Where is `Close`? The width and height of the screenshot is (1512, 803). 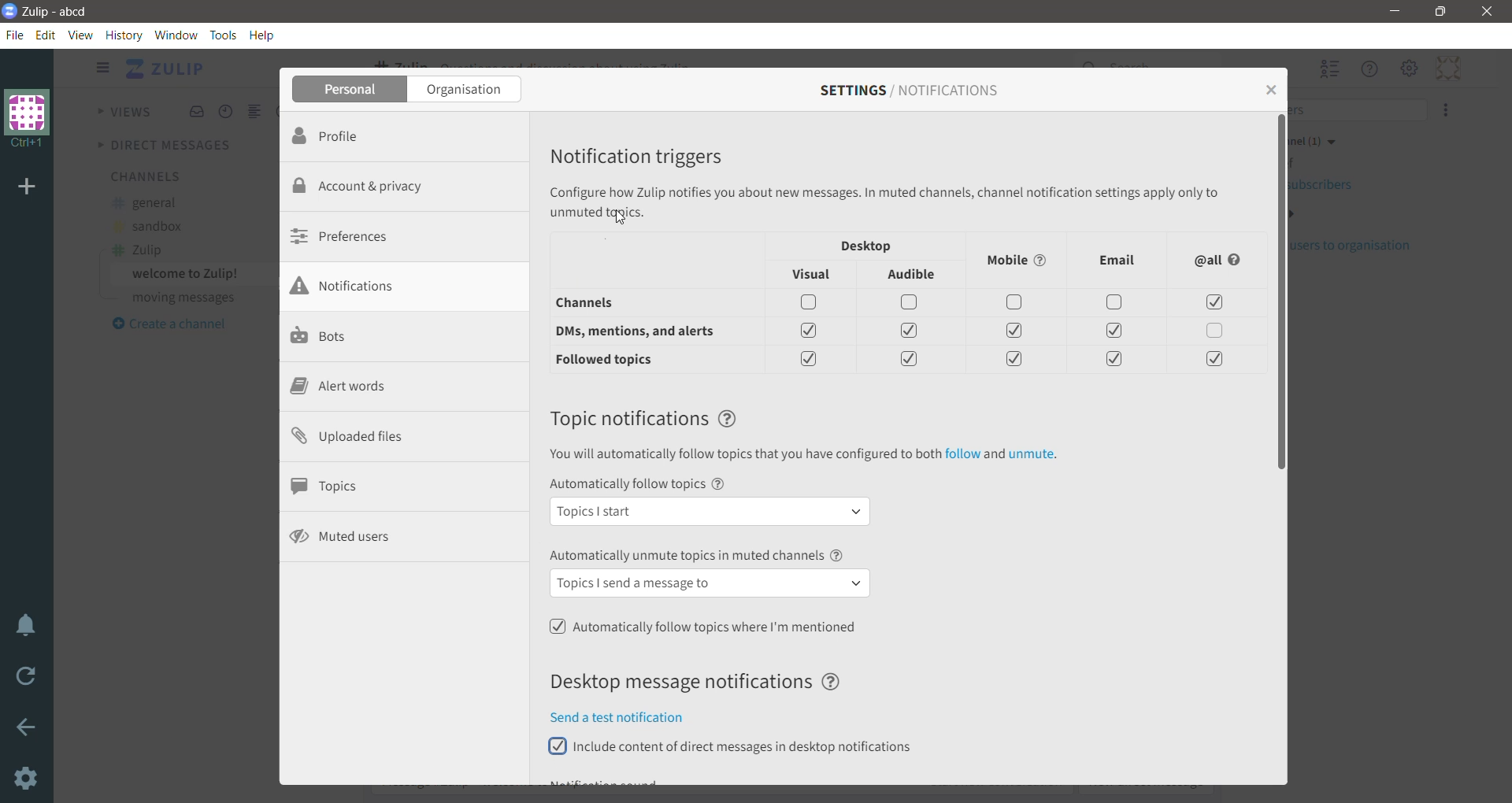
Close is located at coordinates (1487, 12).